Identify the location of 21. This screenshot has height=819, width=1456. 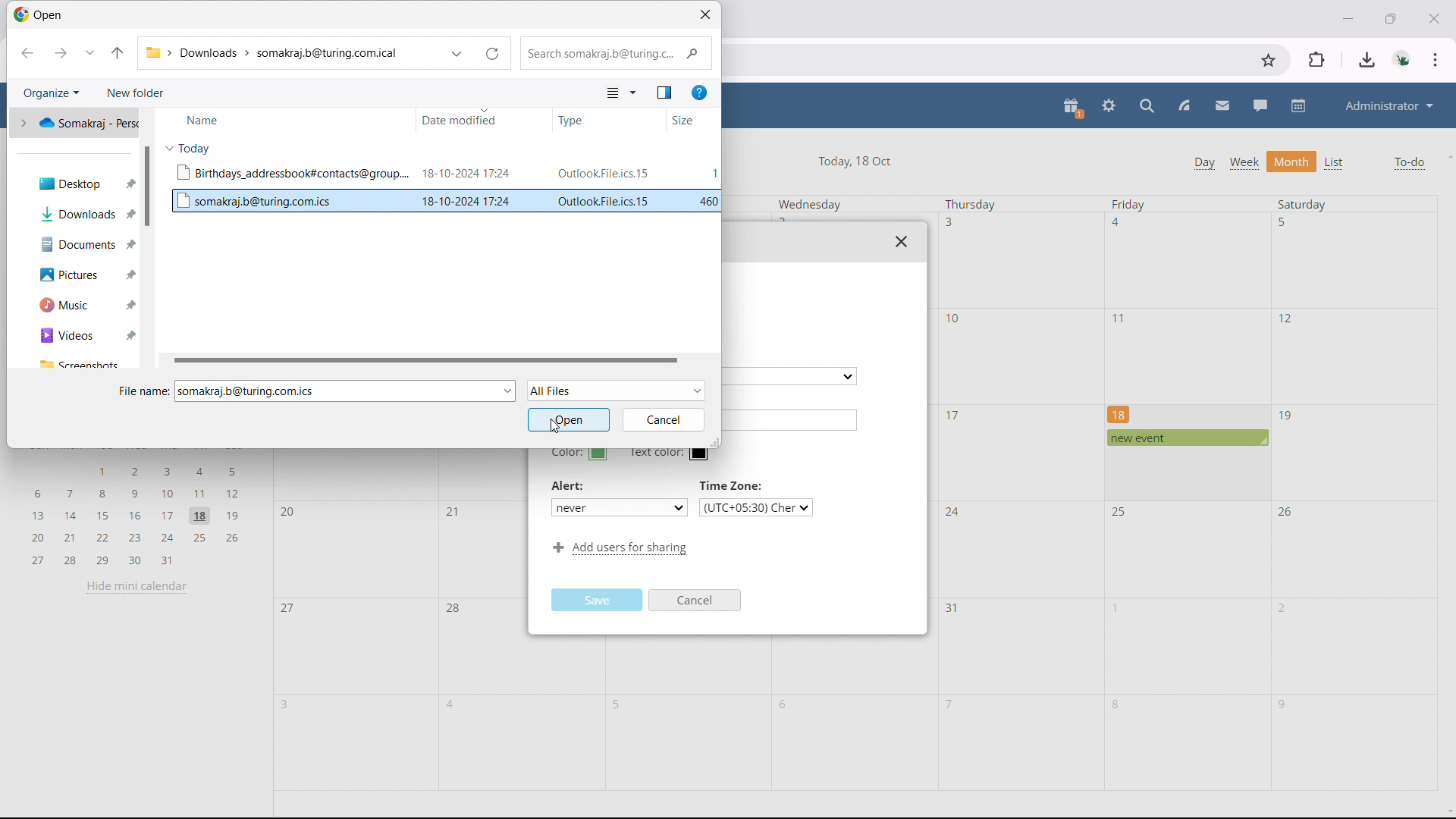
(450, 510).